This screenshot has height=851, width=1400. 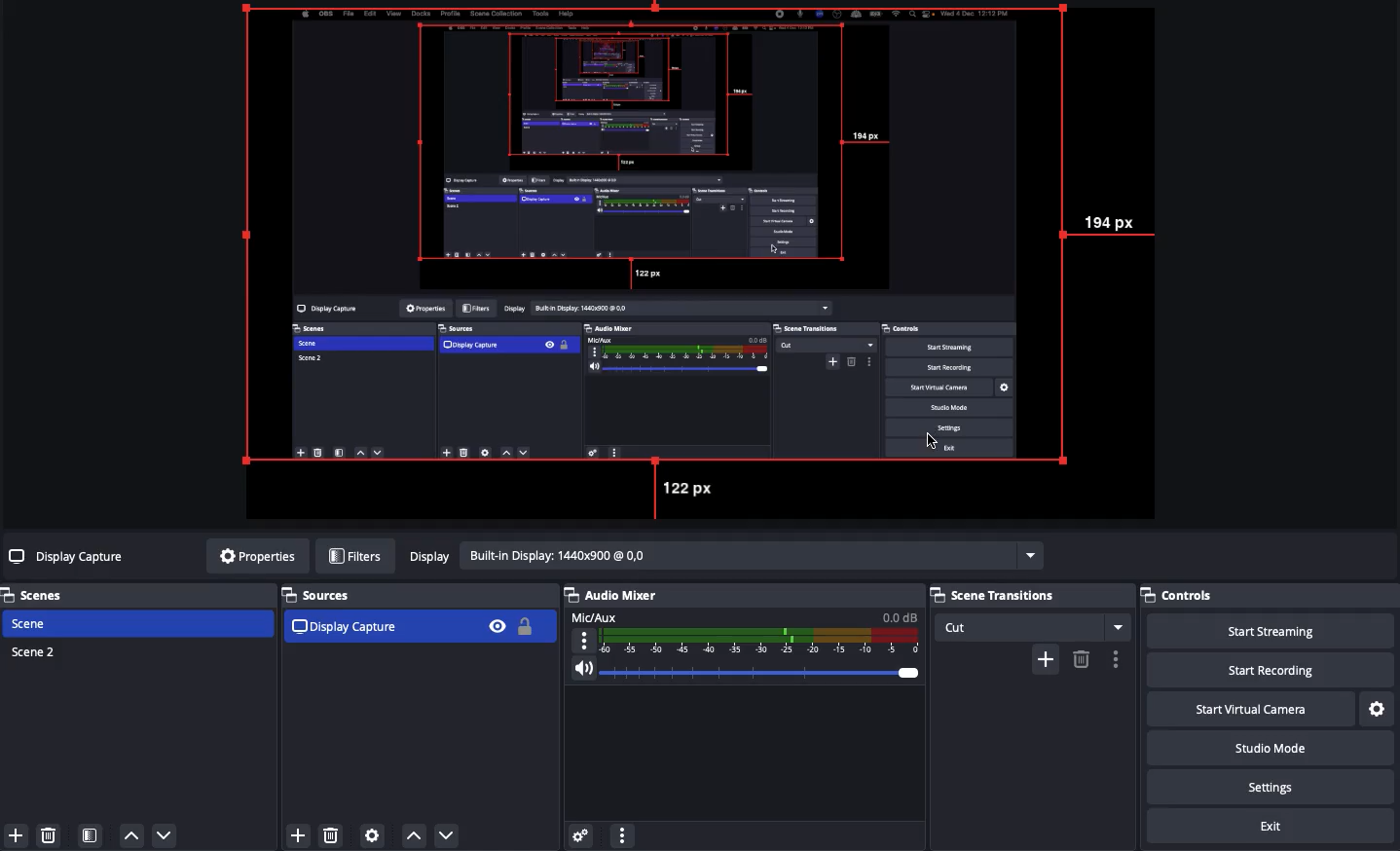 I want to click on Scene transitions, so click(x=1030, y=611).